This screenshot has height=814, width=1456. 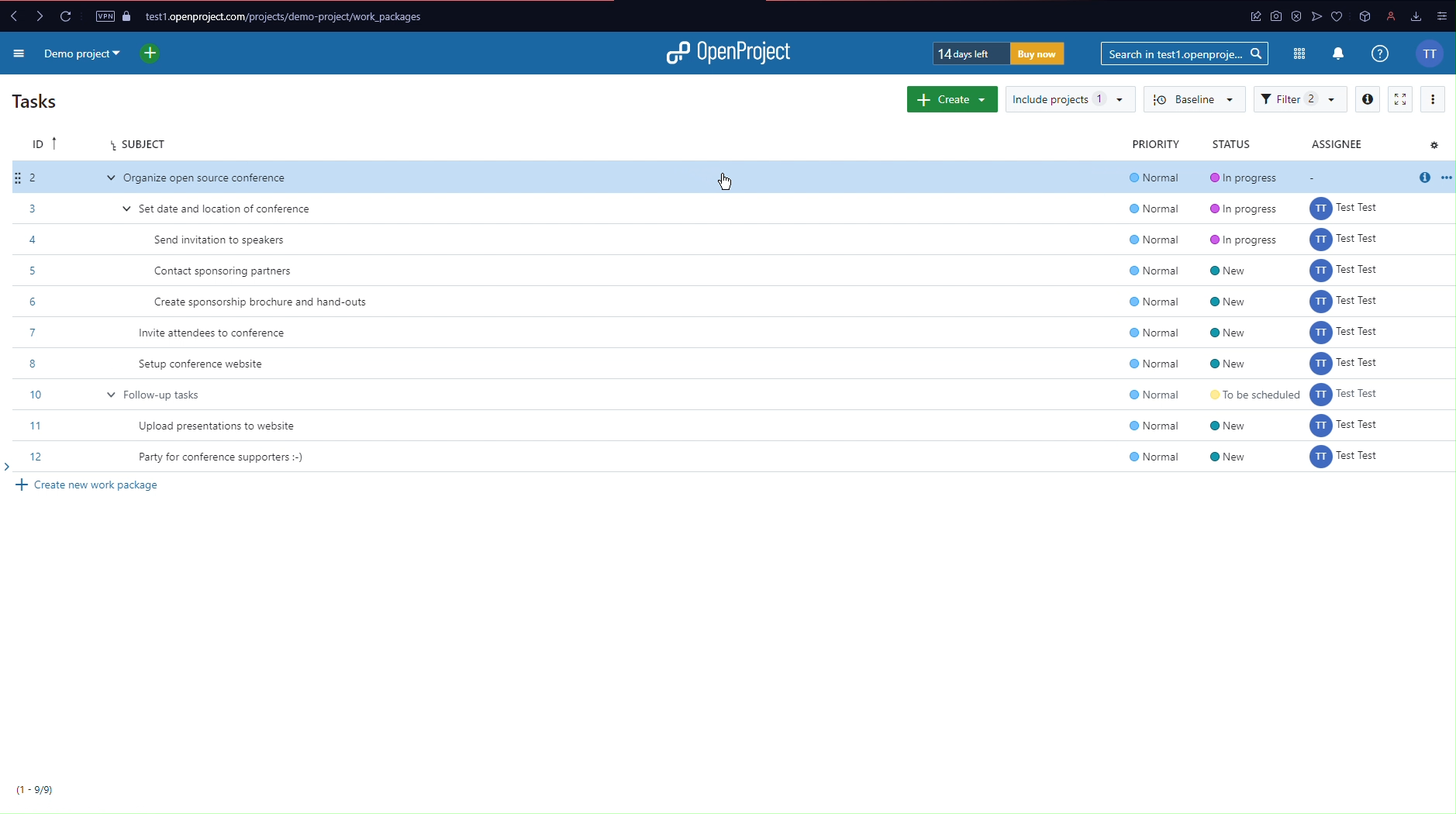 What do you see at coordinates (1391, 16) in the screenshot?
I see `profile` at bounding box center [1391, 16].